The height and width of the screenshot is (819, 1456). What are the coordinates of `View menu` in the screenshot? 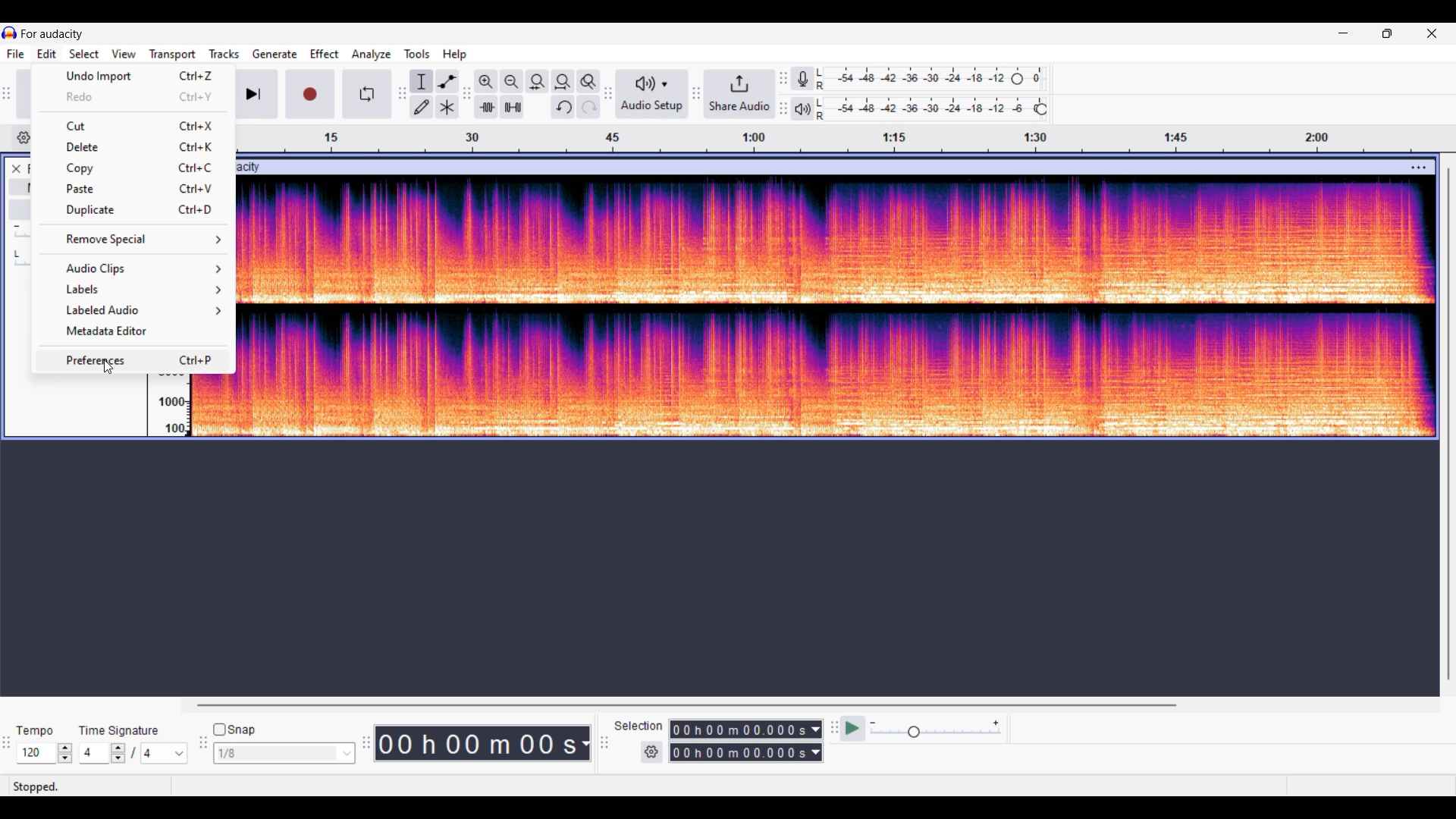 It's located at (124, 54).